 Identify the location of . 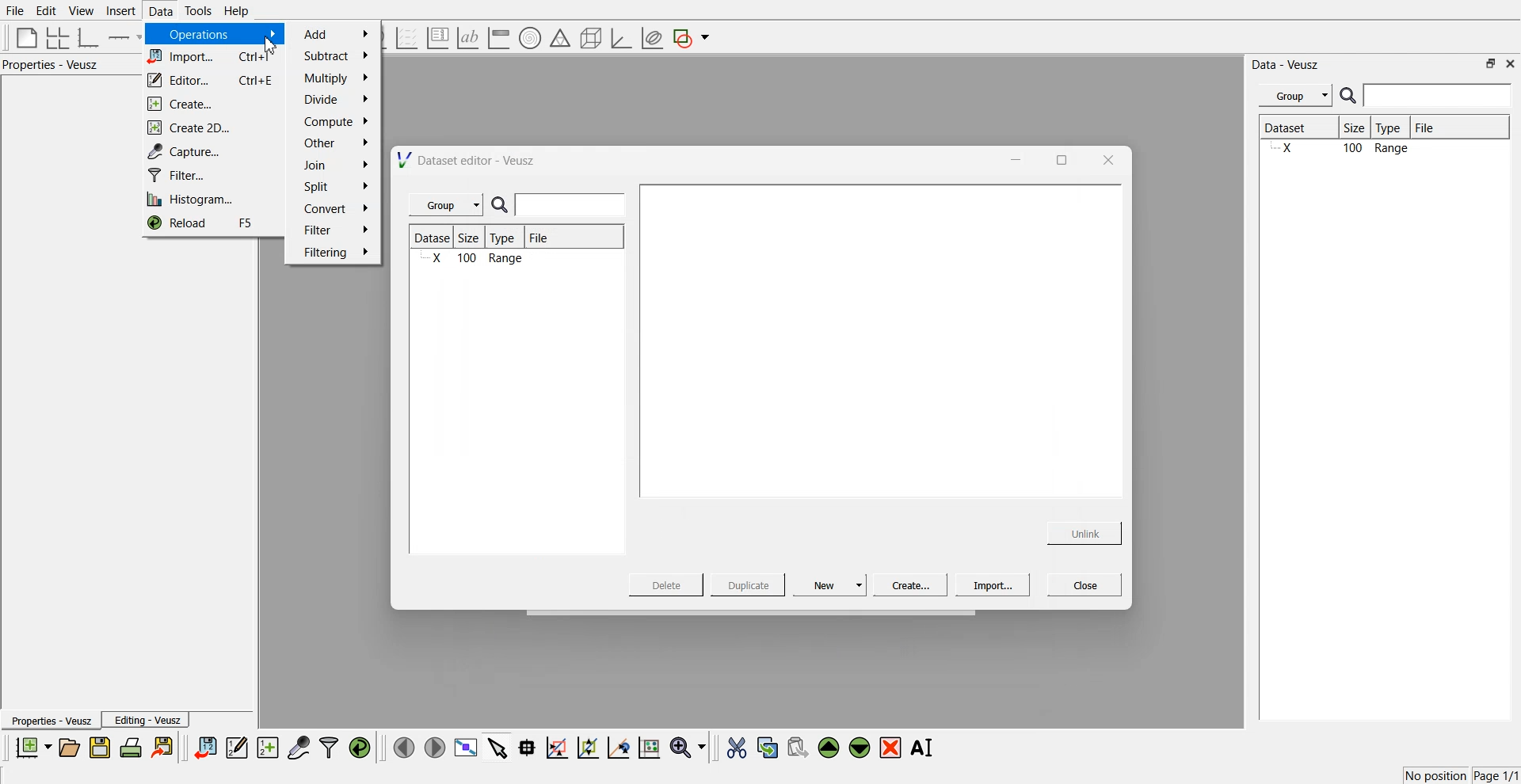
(1295, 96).